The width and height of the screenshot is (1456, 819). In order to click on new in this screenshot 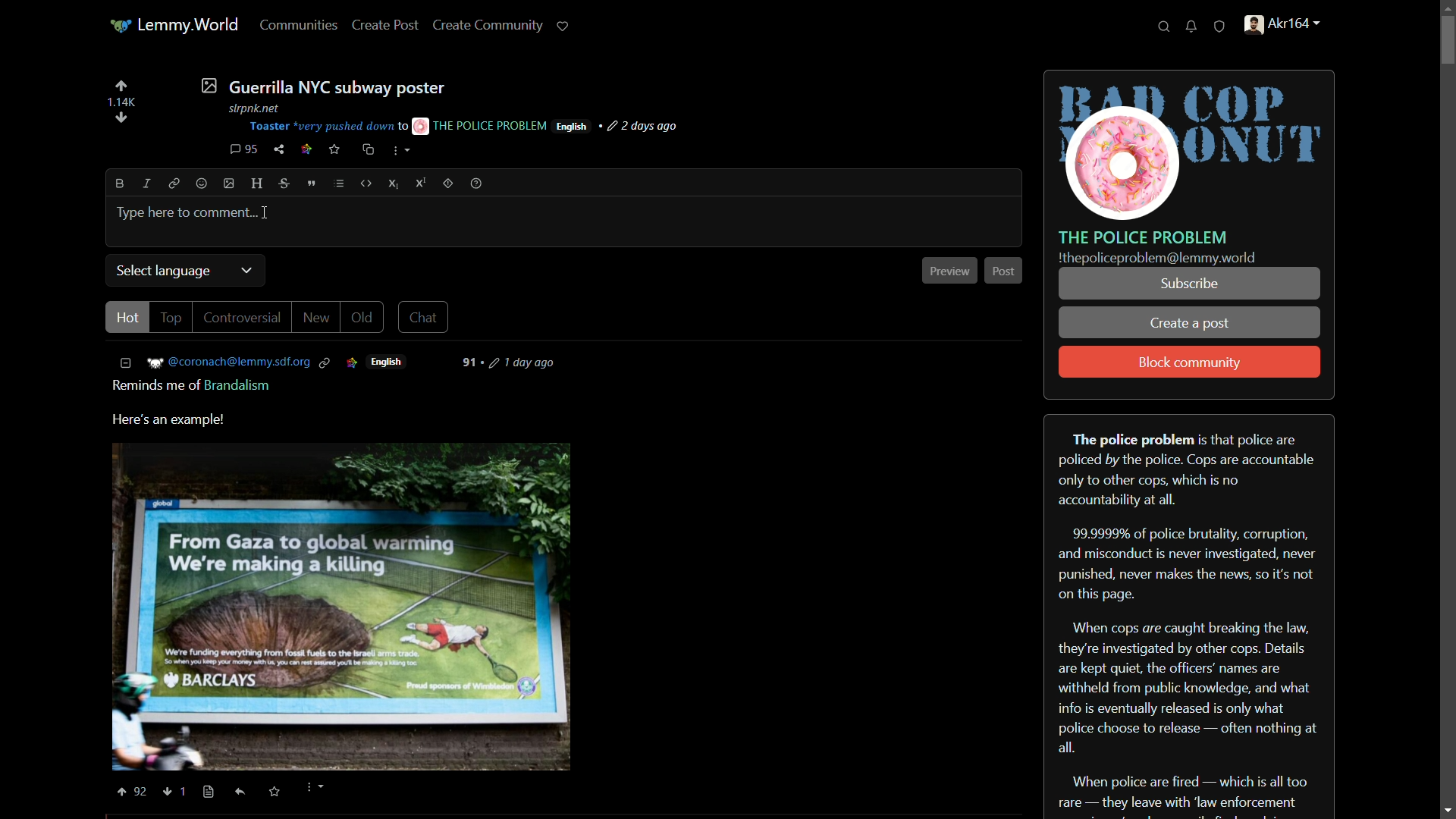, I will do `click(315, 317)`.